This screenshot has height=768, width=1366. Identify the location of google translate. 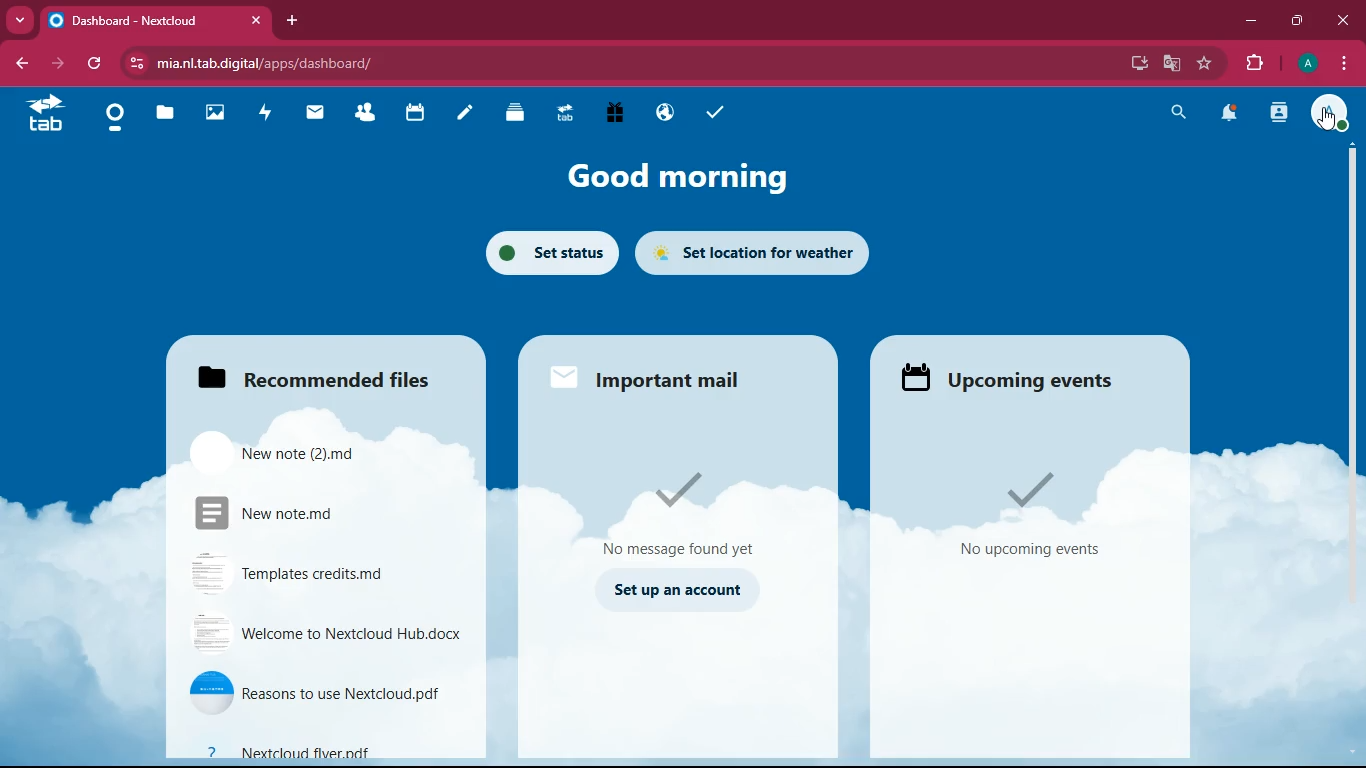
(1176, 64).